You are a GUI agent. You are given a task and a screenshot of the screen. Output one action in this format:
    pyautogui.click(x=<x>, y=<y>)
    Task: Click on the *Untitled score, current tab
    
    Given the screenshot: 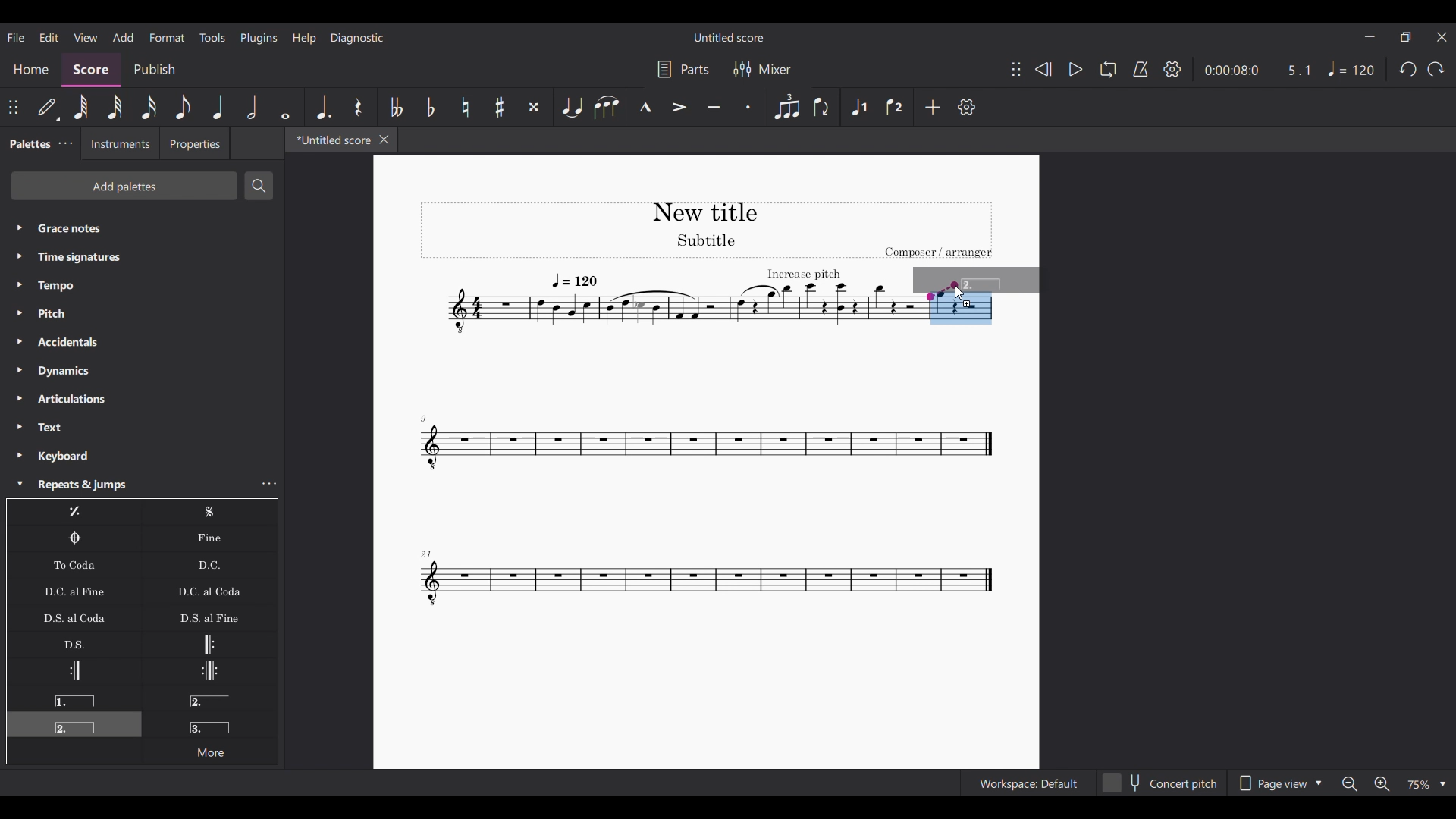 What is the action you would take?
    pyautogui.click(x=331, y=139)
    